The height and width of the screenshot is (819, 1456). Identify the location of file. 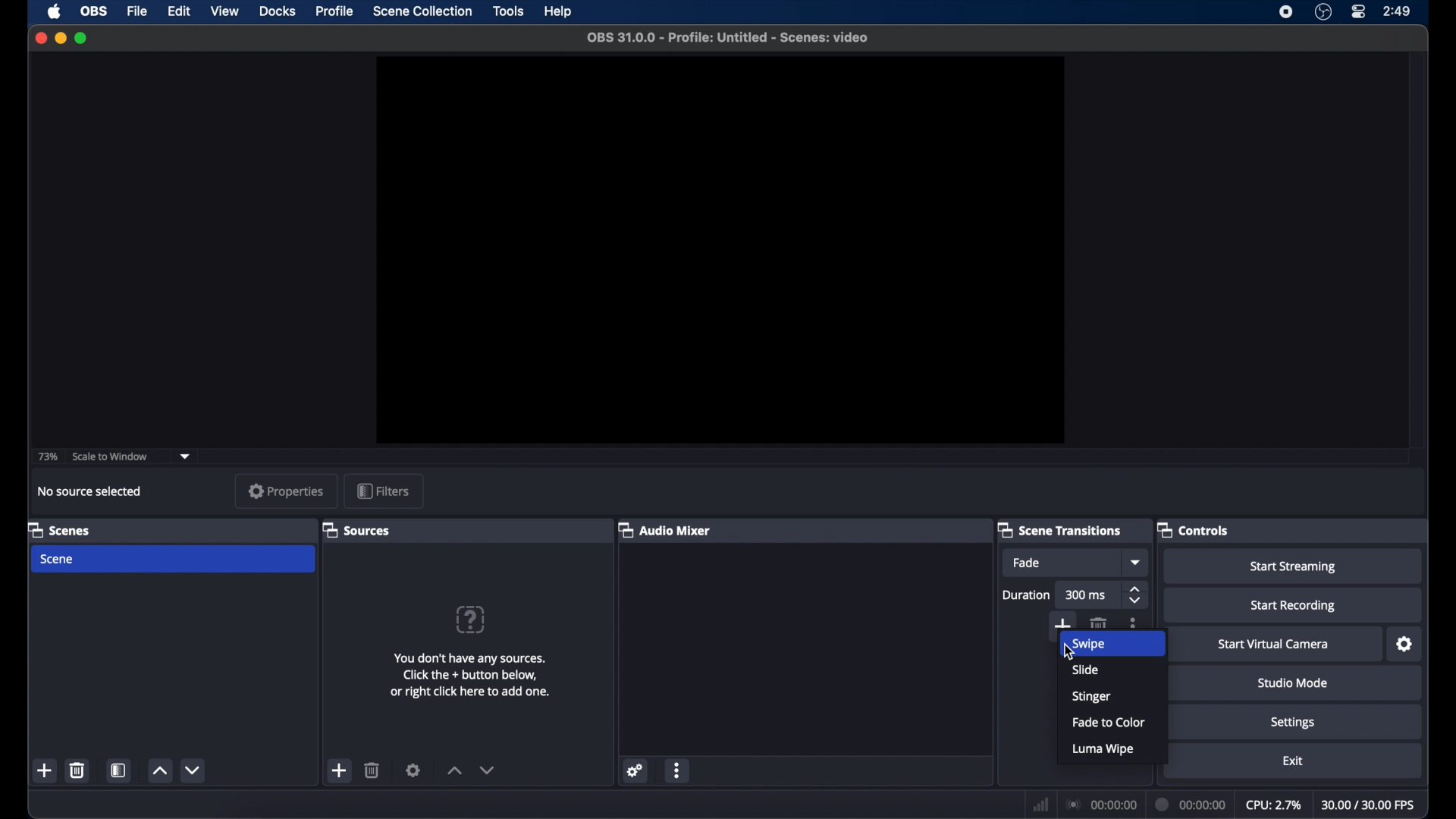
(137, 11).